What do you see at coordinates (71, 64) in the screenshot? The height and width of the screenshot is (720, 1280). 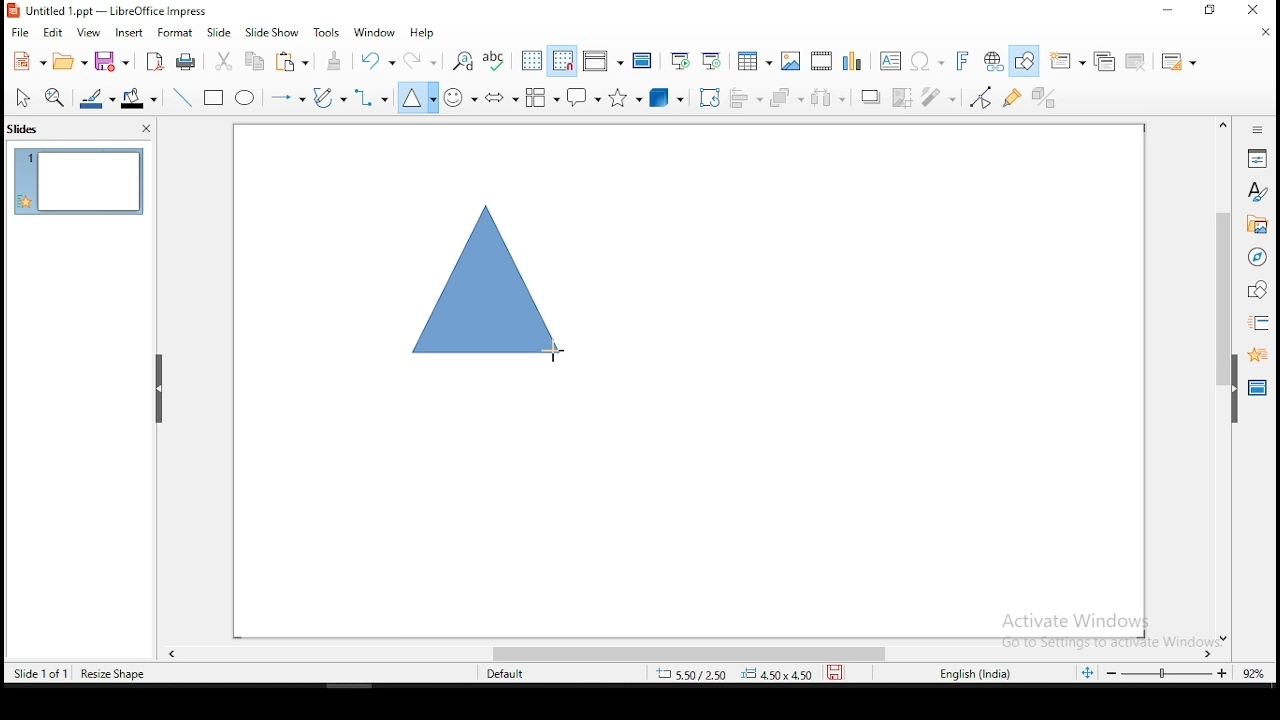 I see `open` at bounding box center [71, 64].